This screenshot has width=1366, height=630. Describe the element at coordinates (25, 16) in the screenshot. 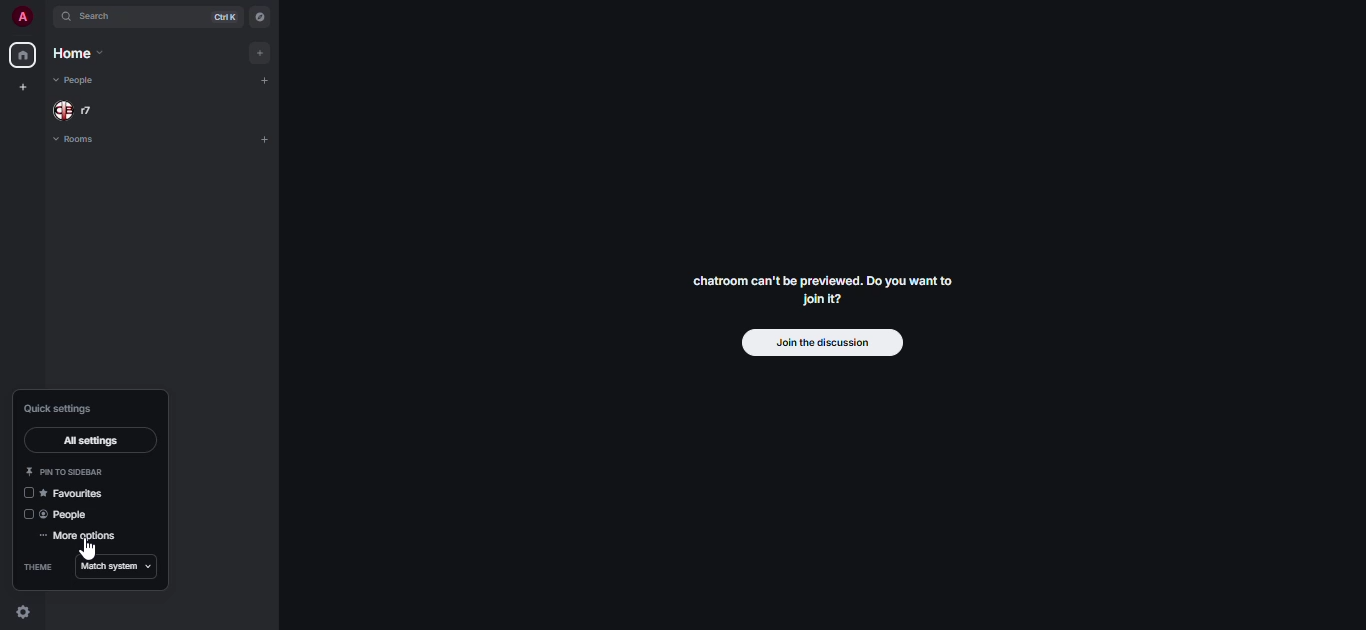

I see `profile` at that location.